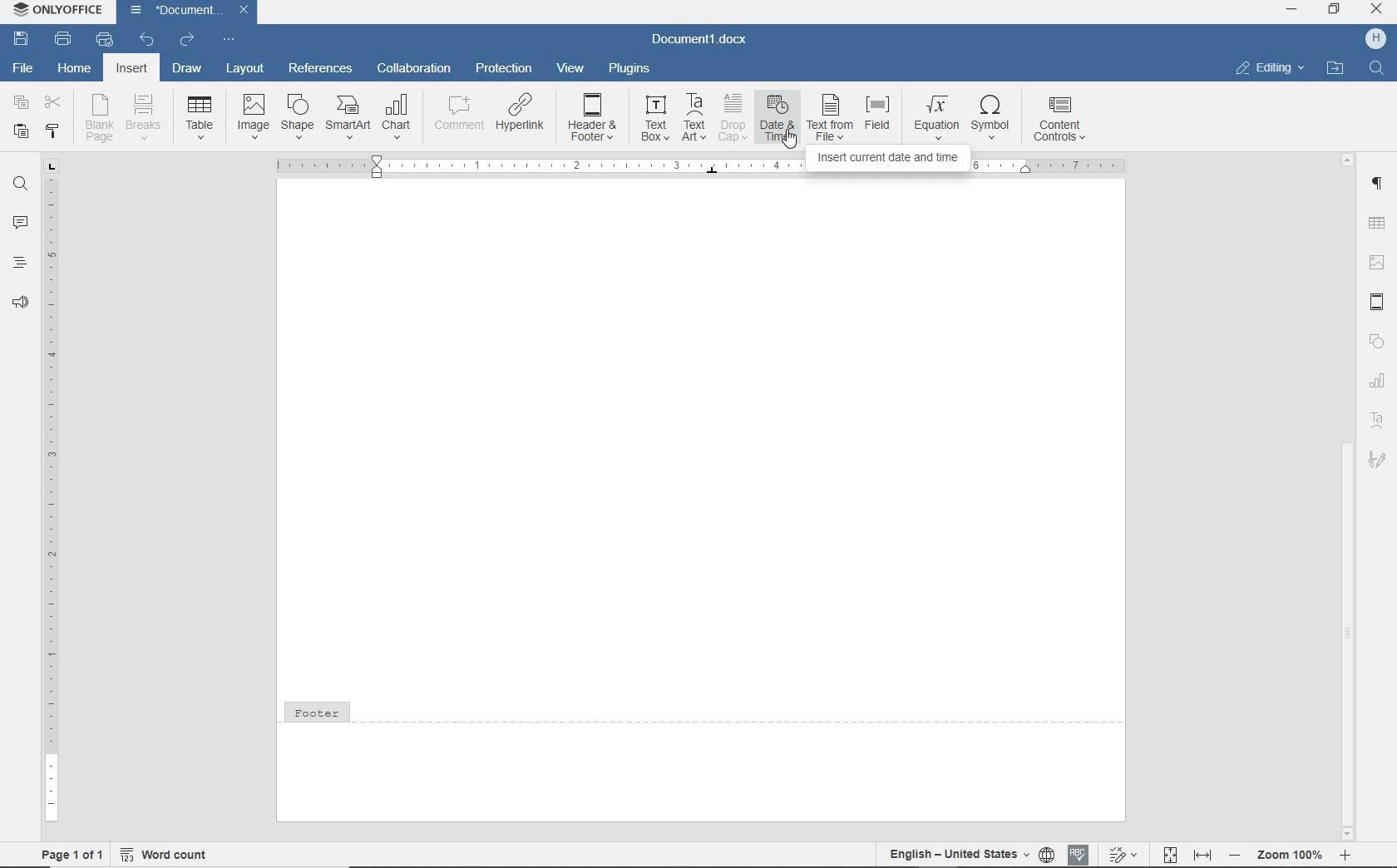 The image size is (1397, 868). Describe the element at coordinates (995, 118) in the screenshot. I see `symbol` at that location.